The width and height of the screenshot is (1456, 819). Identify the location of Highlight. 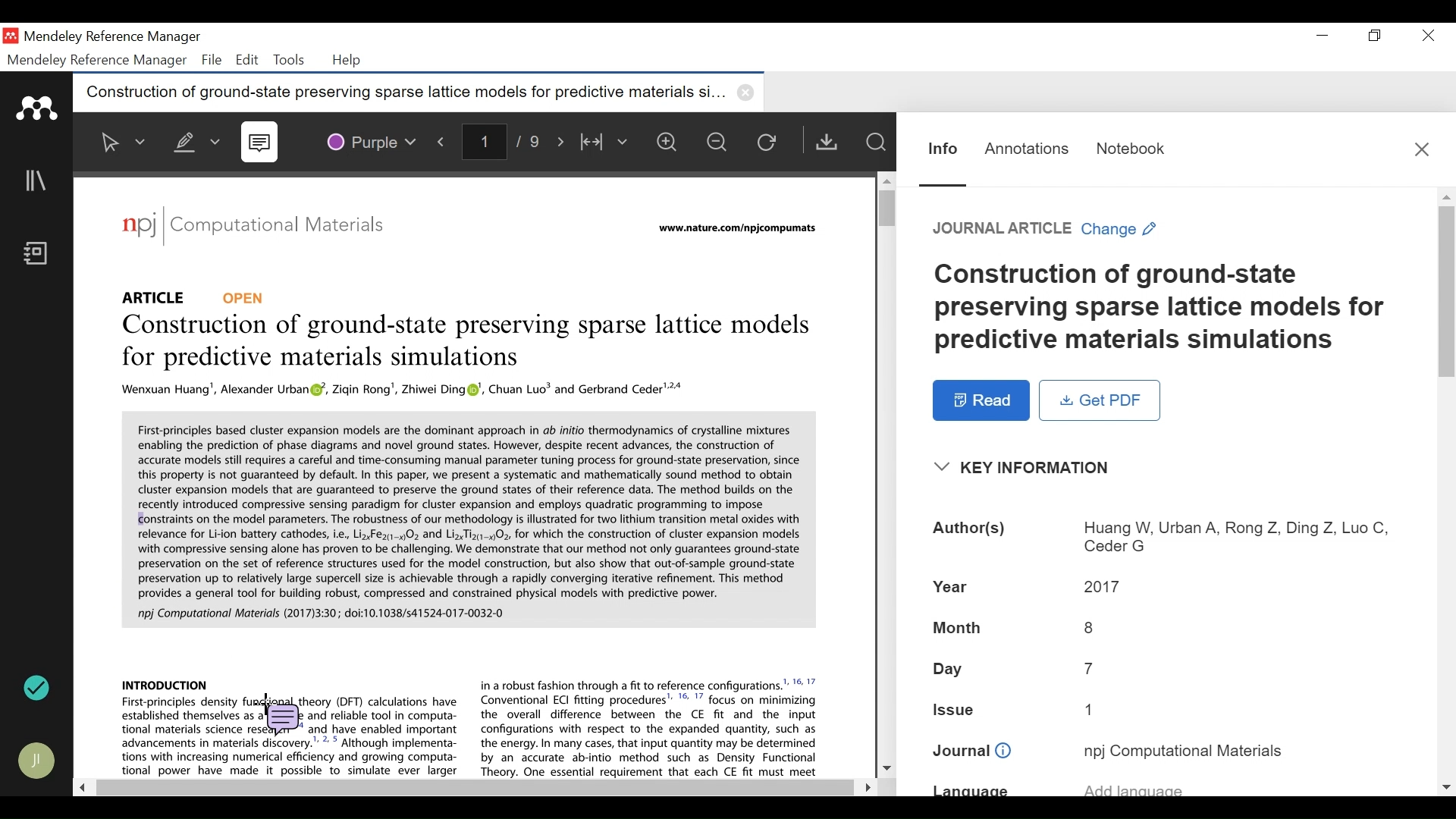
(193, 139).